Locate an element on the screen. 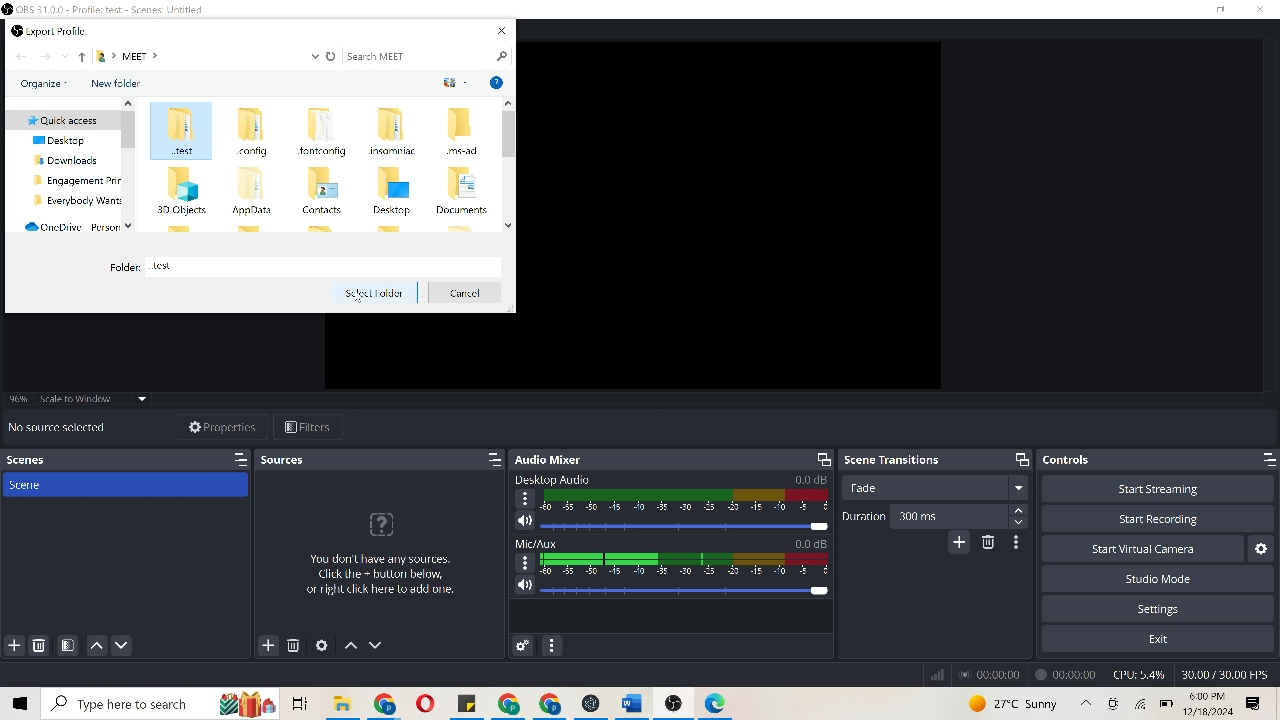 This screenshot has height=720, width=1280. Next Arrow is located at coordinates (42, 57).